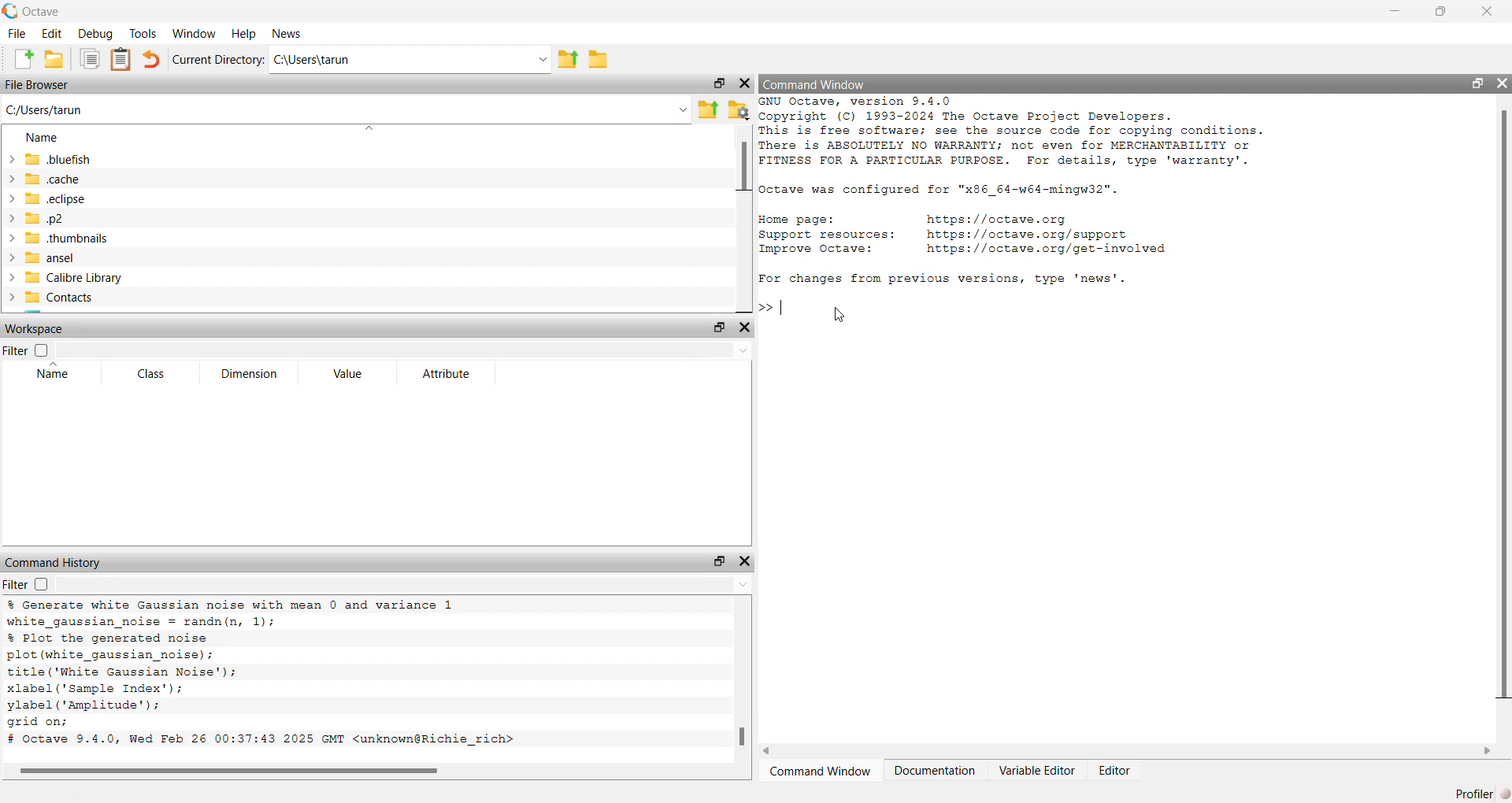 This screenshot has width=1512, height=803. I want to click on document clipboard, so click(120, 59).